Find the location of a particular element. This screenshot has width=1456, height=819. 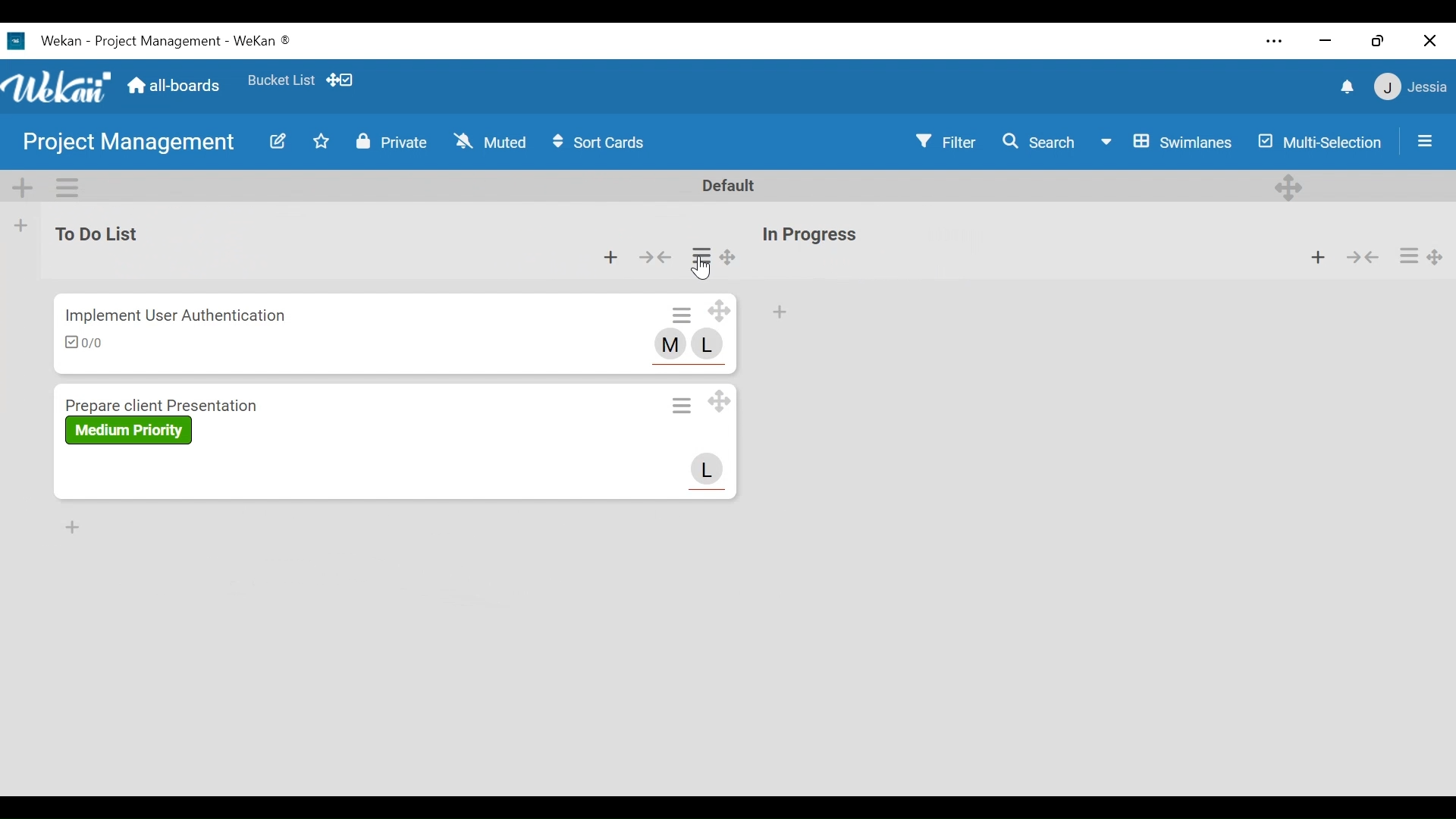

L is located at coordinates (708, 344).